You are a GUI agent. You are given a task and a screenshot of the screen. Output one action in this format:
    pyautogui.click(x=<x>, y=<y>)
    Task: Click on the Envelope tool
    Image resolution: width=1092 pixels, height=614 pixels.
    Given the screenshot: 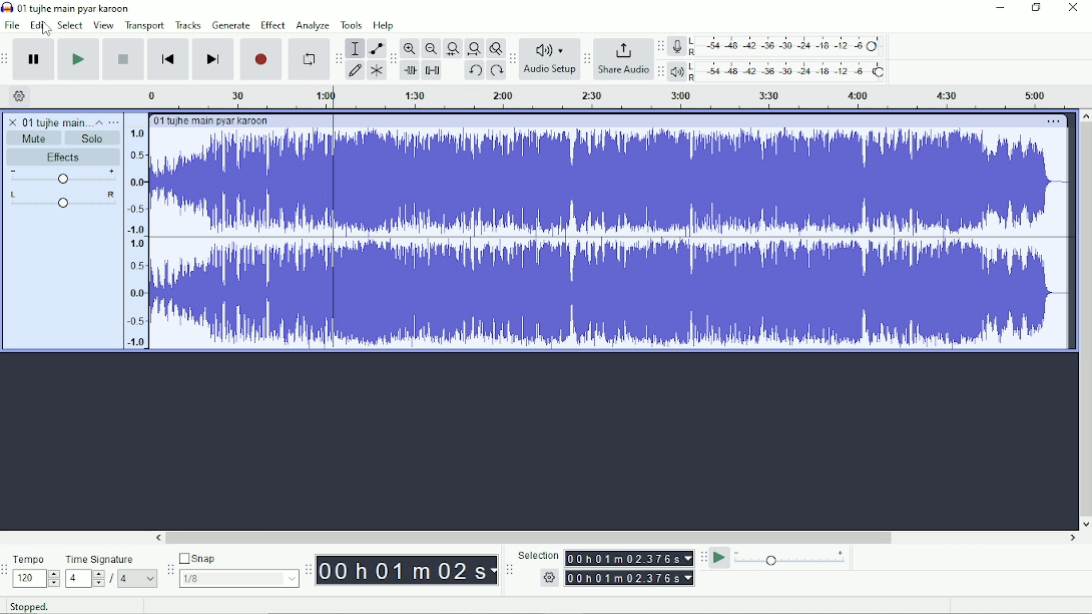 What is the action you would take?
    pyautogui.click(x=375, y=48)
    